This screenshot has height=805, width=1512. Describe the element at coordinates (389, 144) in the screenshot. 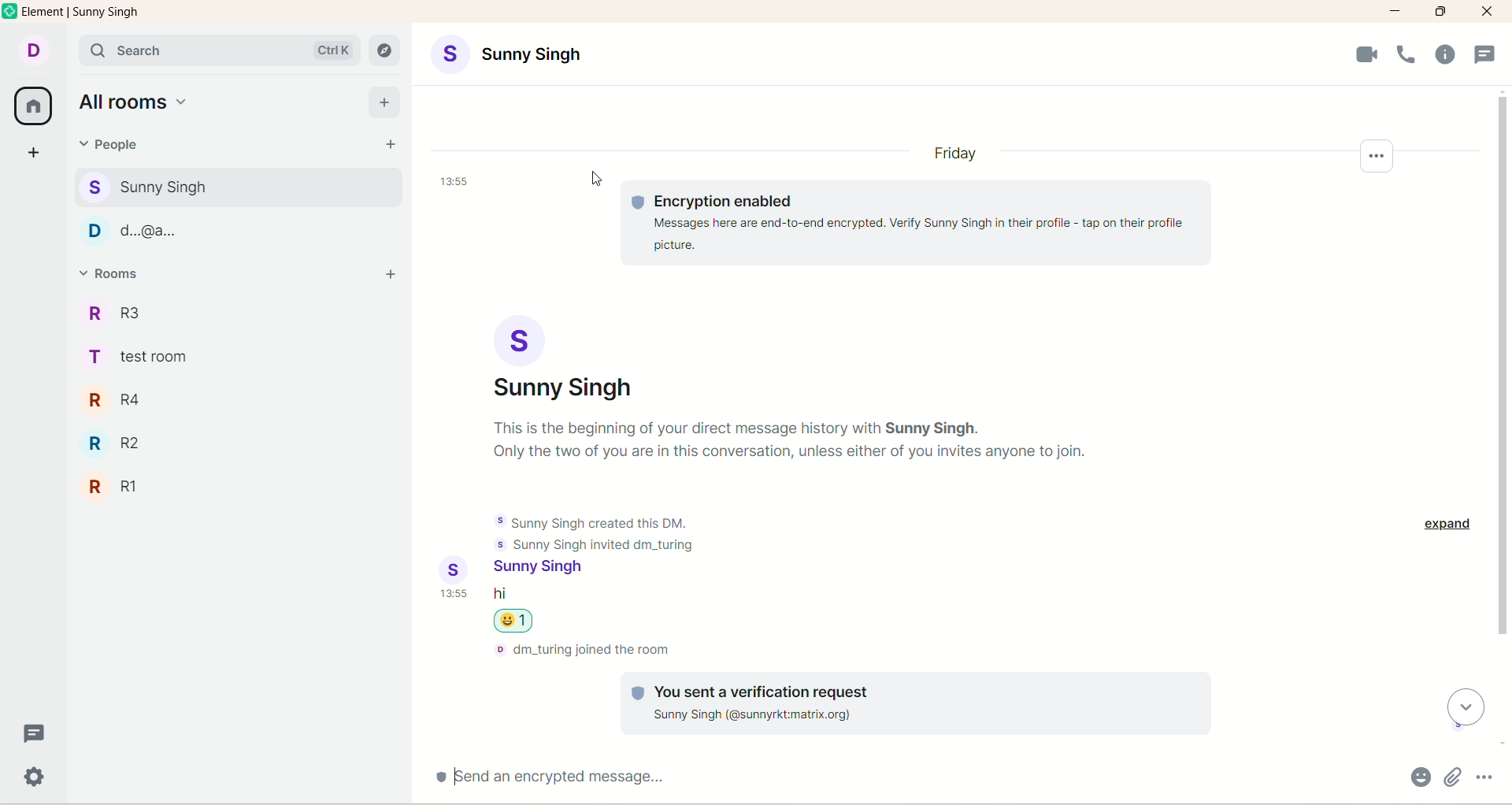

I see `start chat` at that location.